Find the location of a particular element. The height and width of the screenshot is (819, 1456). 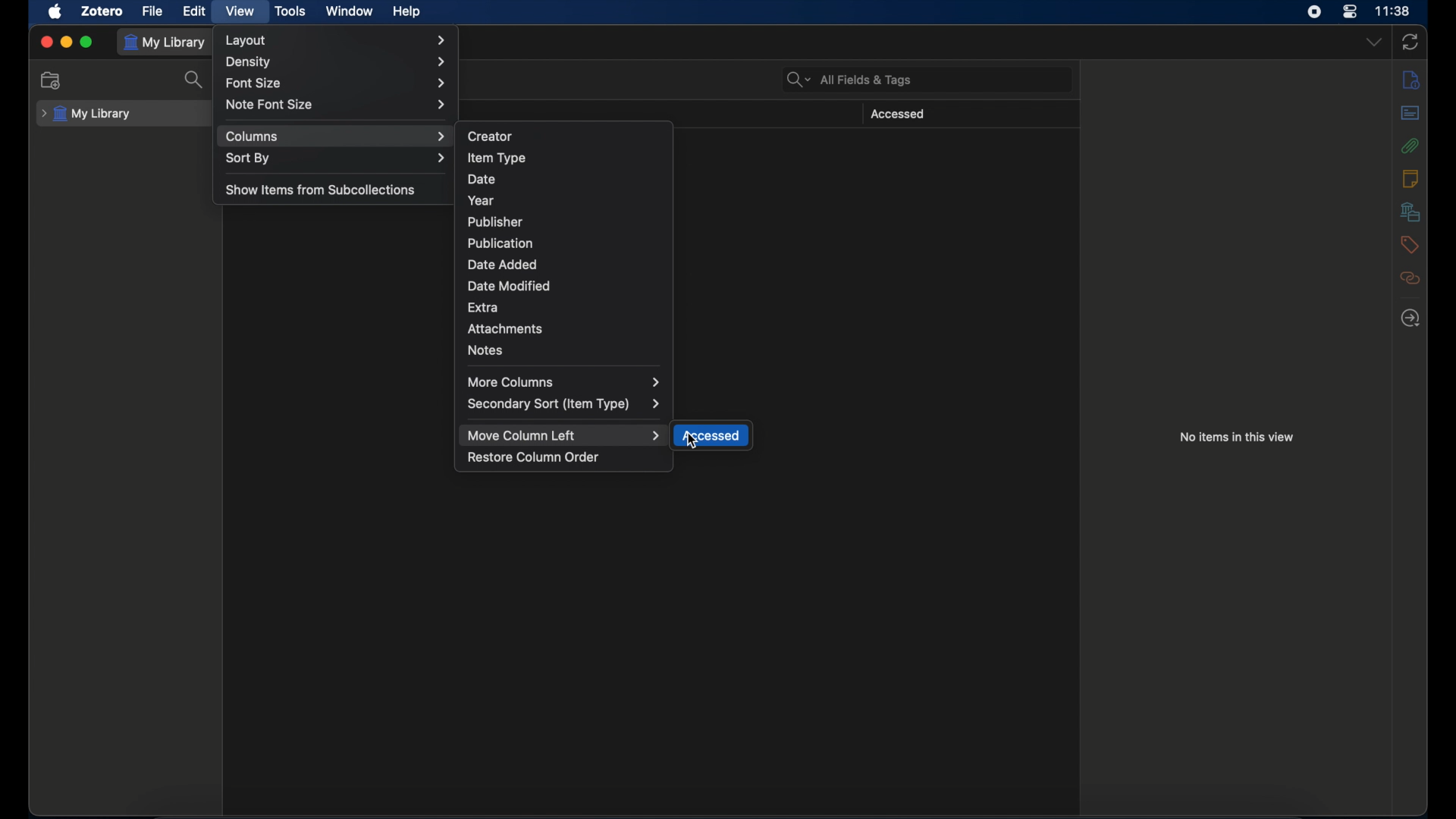

new collection is located at coordinates (51, 80).